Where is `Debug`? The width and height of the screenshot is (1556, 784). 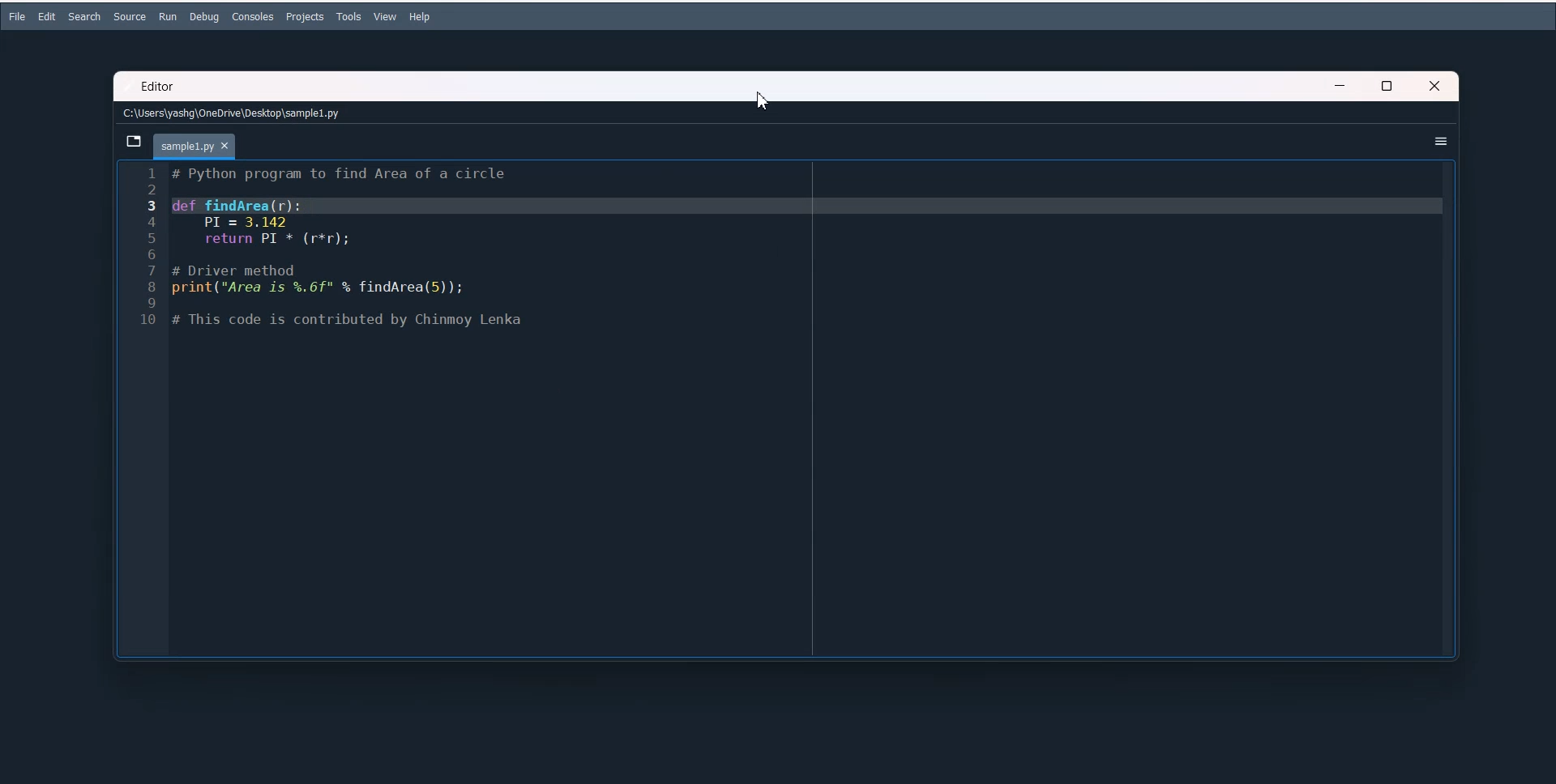 Debug is located at coordinates (203, 17).